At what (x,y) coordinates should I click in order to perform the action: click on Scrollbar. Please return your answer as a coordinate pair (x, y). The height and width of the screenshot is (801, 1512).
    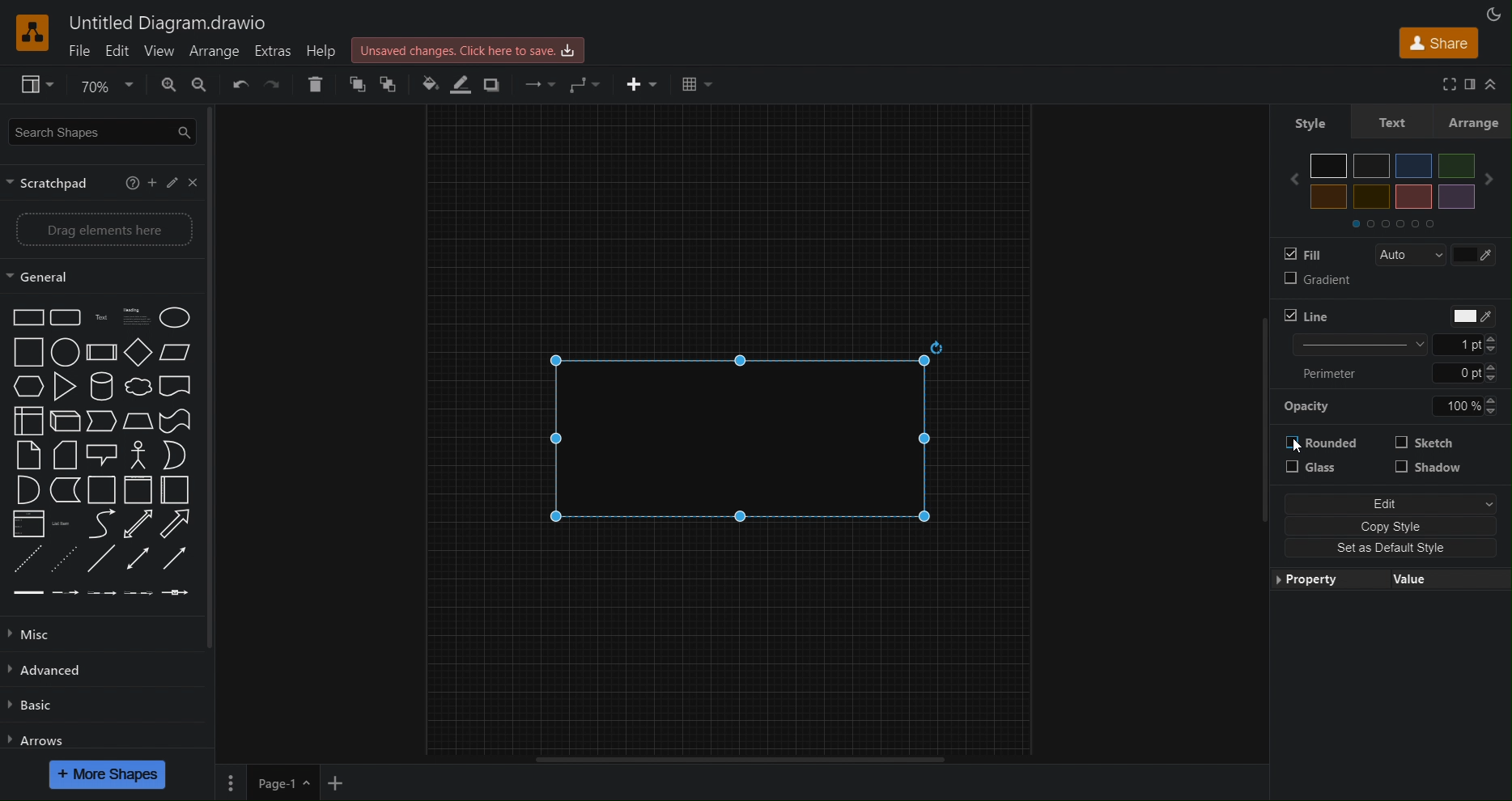
    Looking at the image, I should click on (748, 759).